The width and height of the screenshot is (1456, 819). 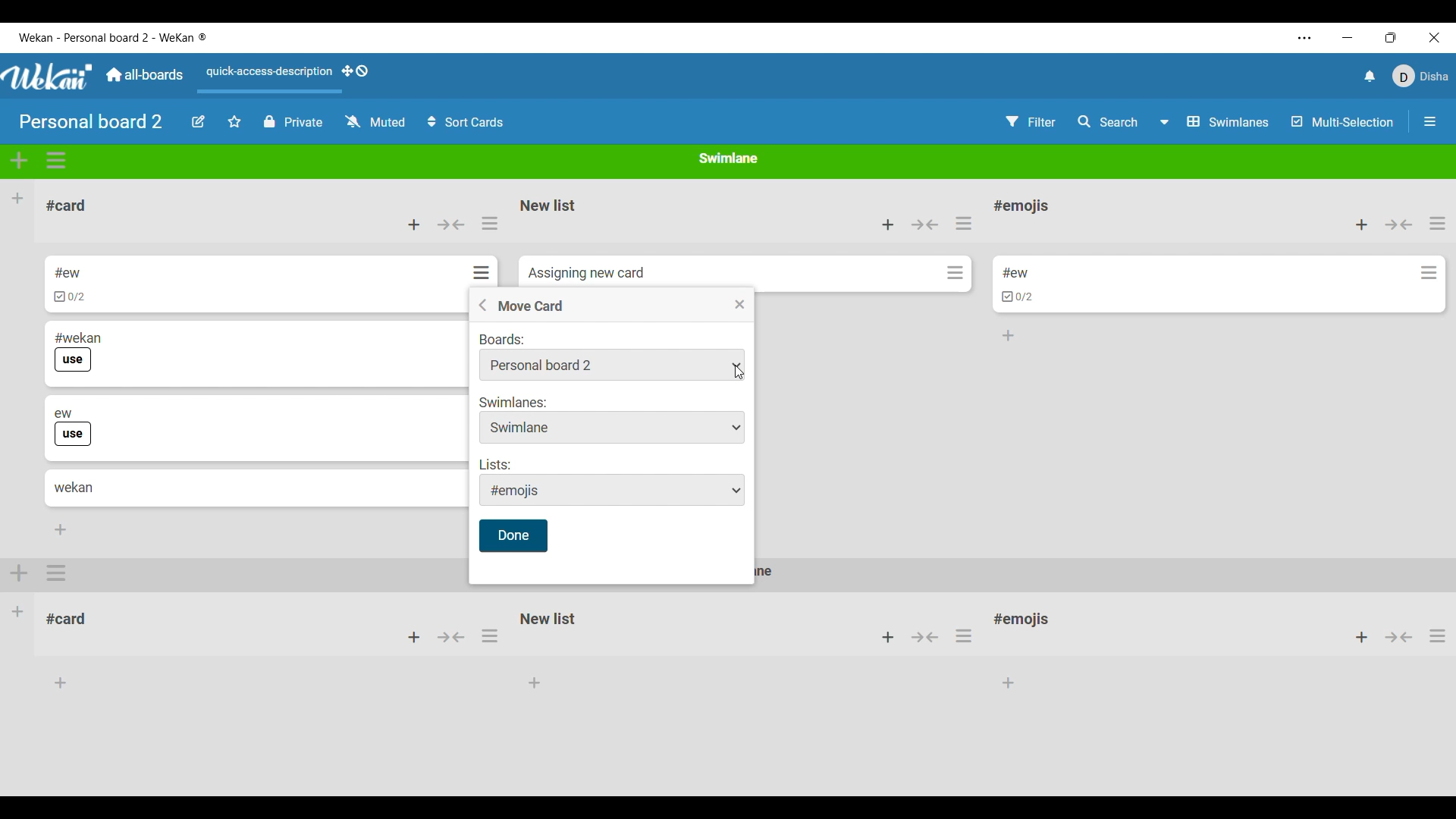 I want to click on List title, so click(x=67, y=206).